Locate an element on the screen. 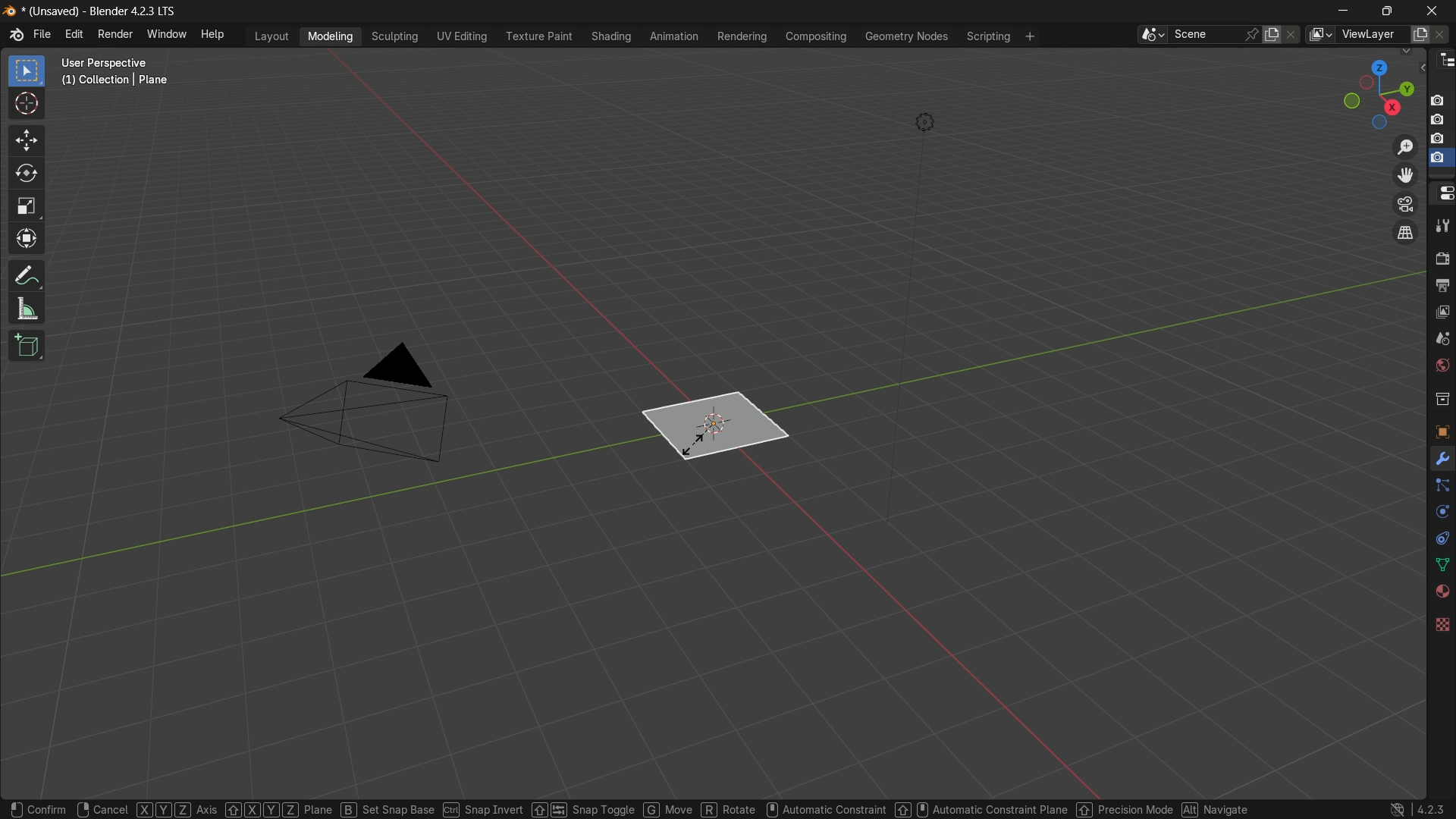  plane B is located at coordinates (328, 806).